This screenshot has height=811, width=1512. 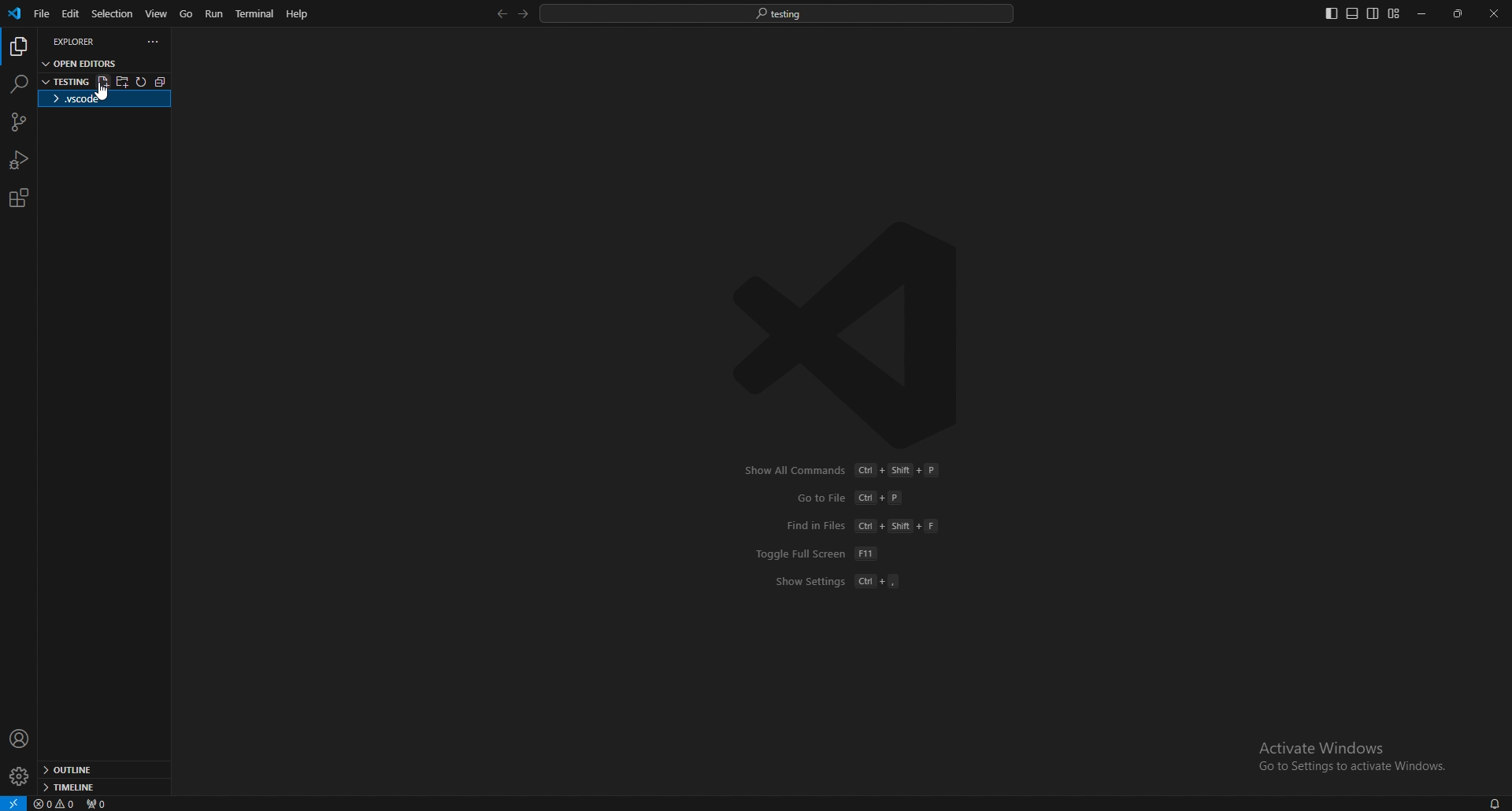 I want to click on run, so click(x=216, y=13).